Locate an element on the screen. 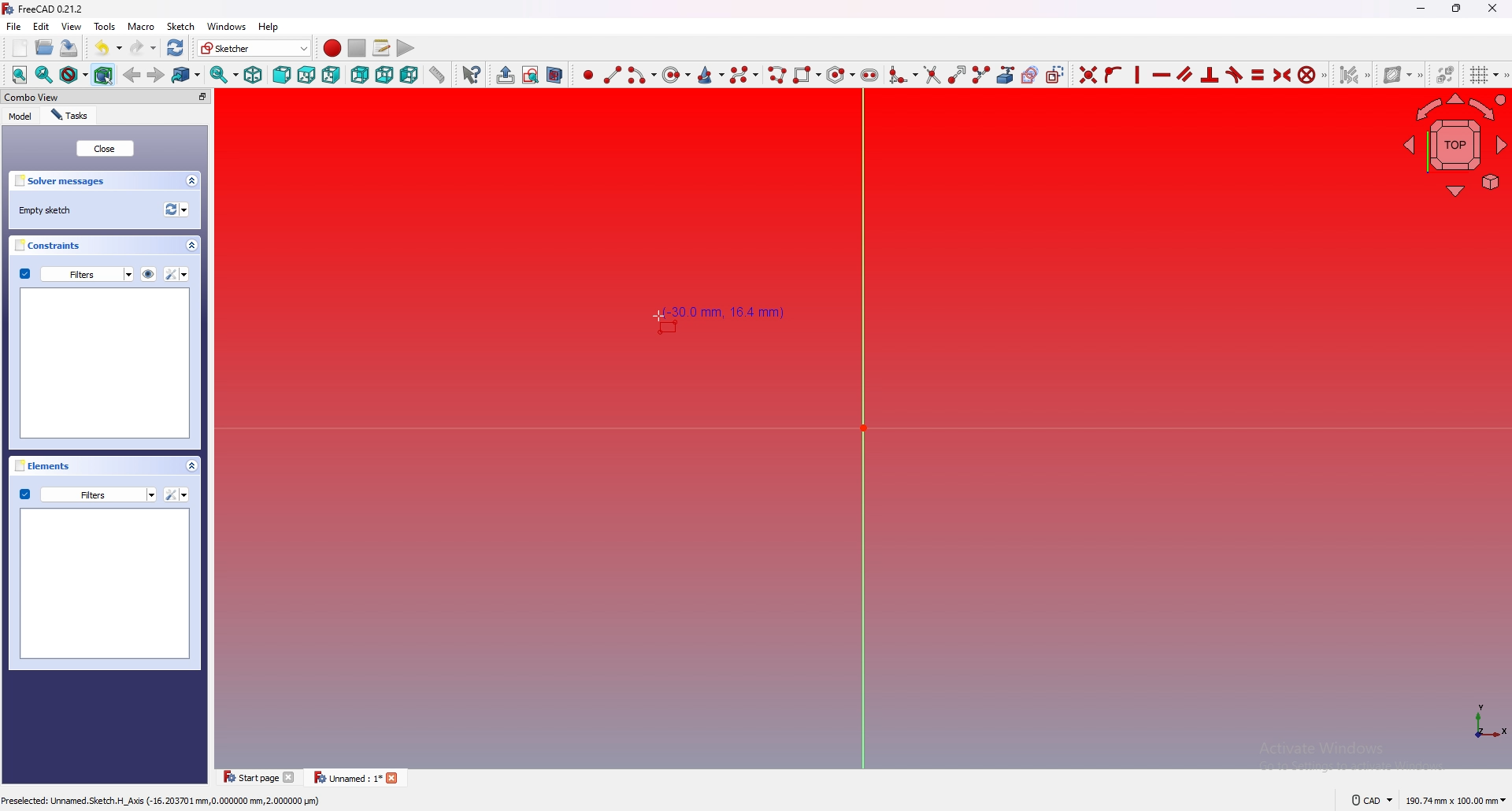 Image resolution: width=1512 pixels, height=811 pixels. help is located at coordinates (271, 26).